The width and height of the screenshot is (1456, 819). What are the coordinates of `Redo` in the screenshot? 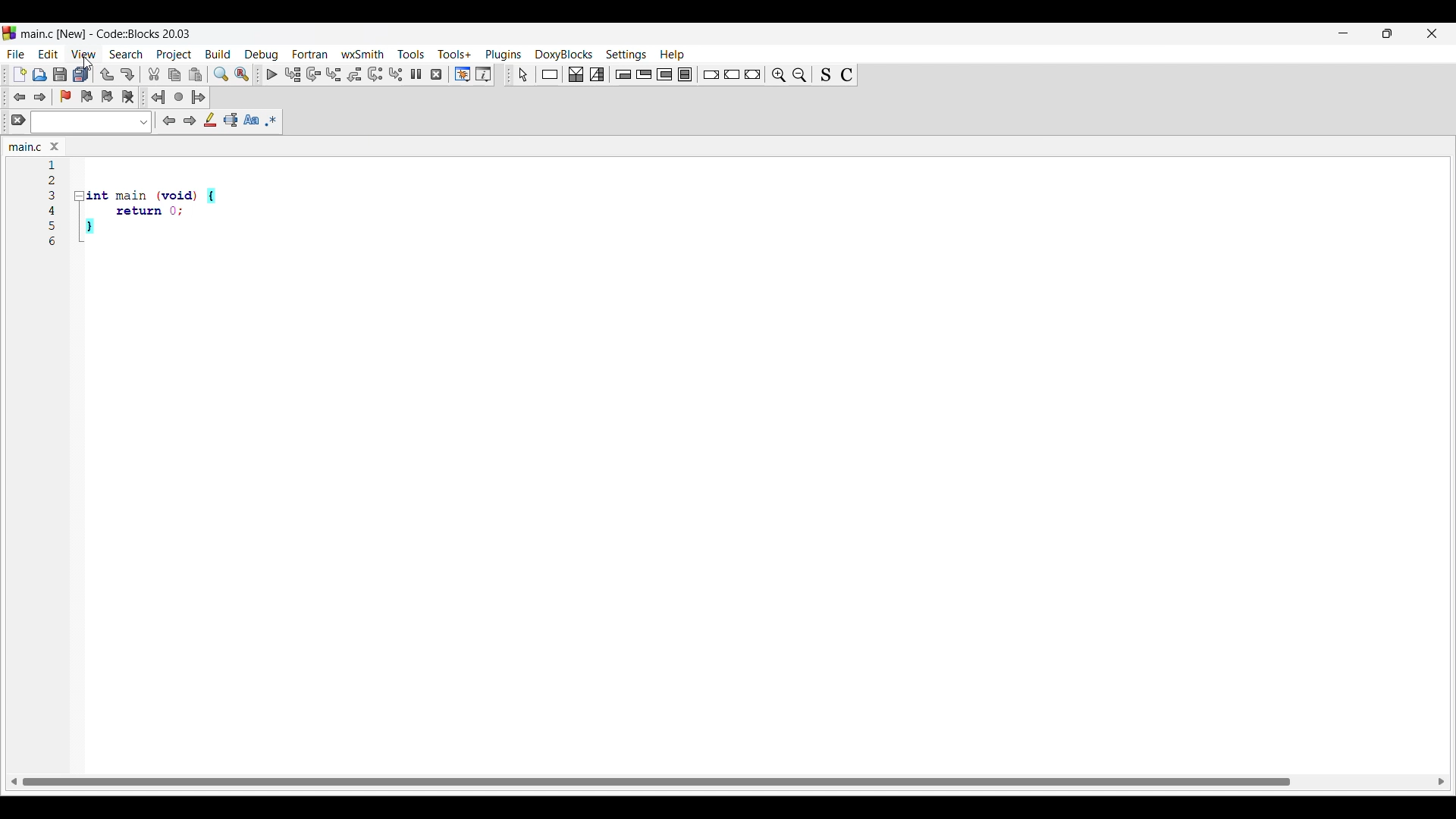 It's located at (127, 74).